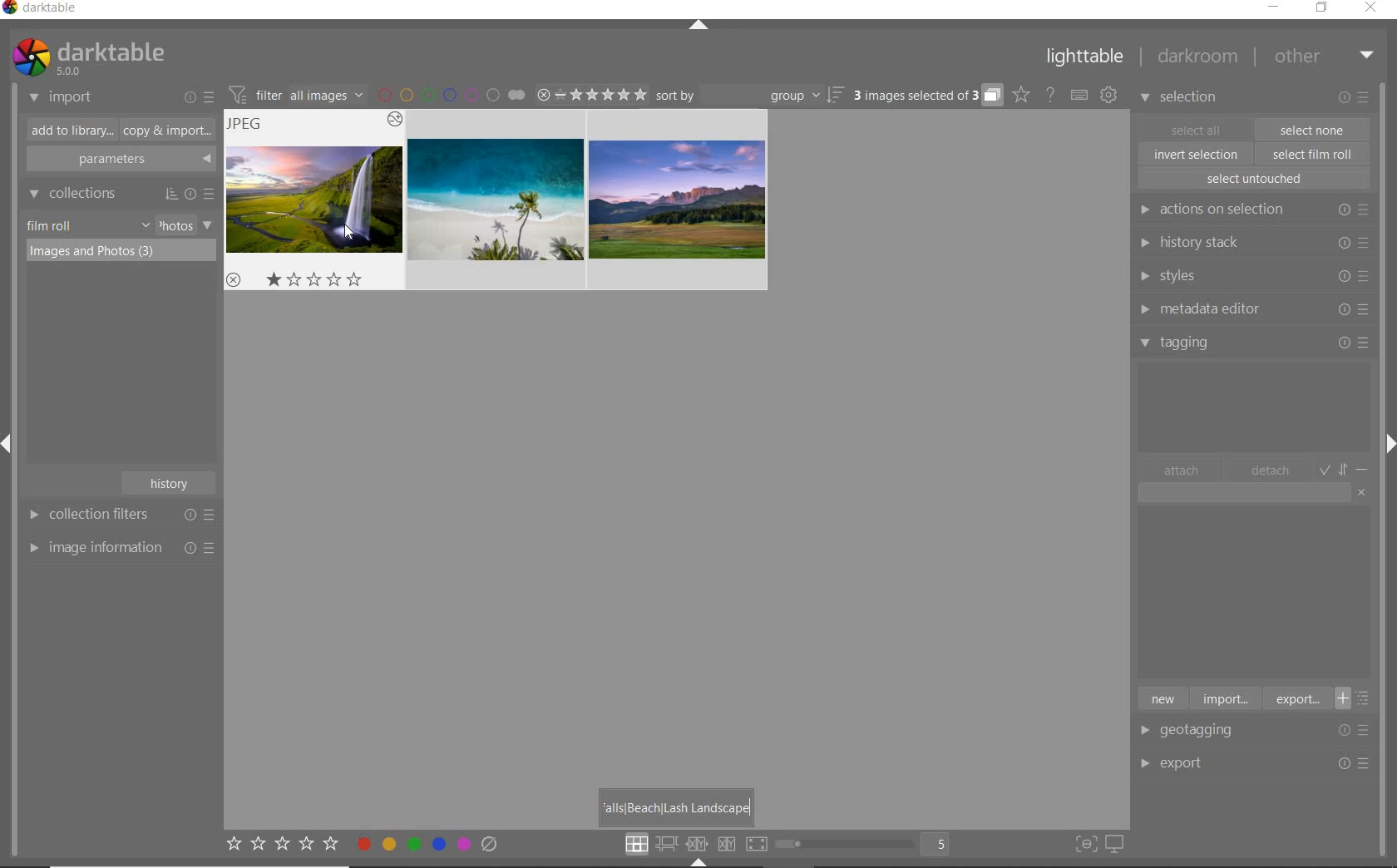 The image size is (1397, 868). Describe the element at coordinates (1050, 94) in the screenshot. I see `help online` at that location.